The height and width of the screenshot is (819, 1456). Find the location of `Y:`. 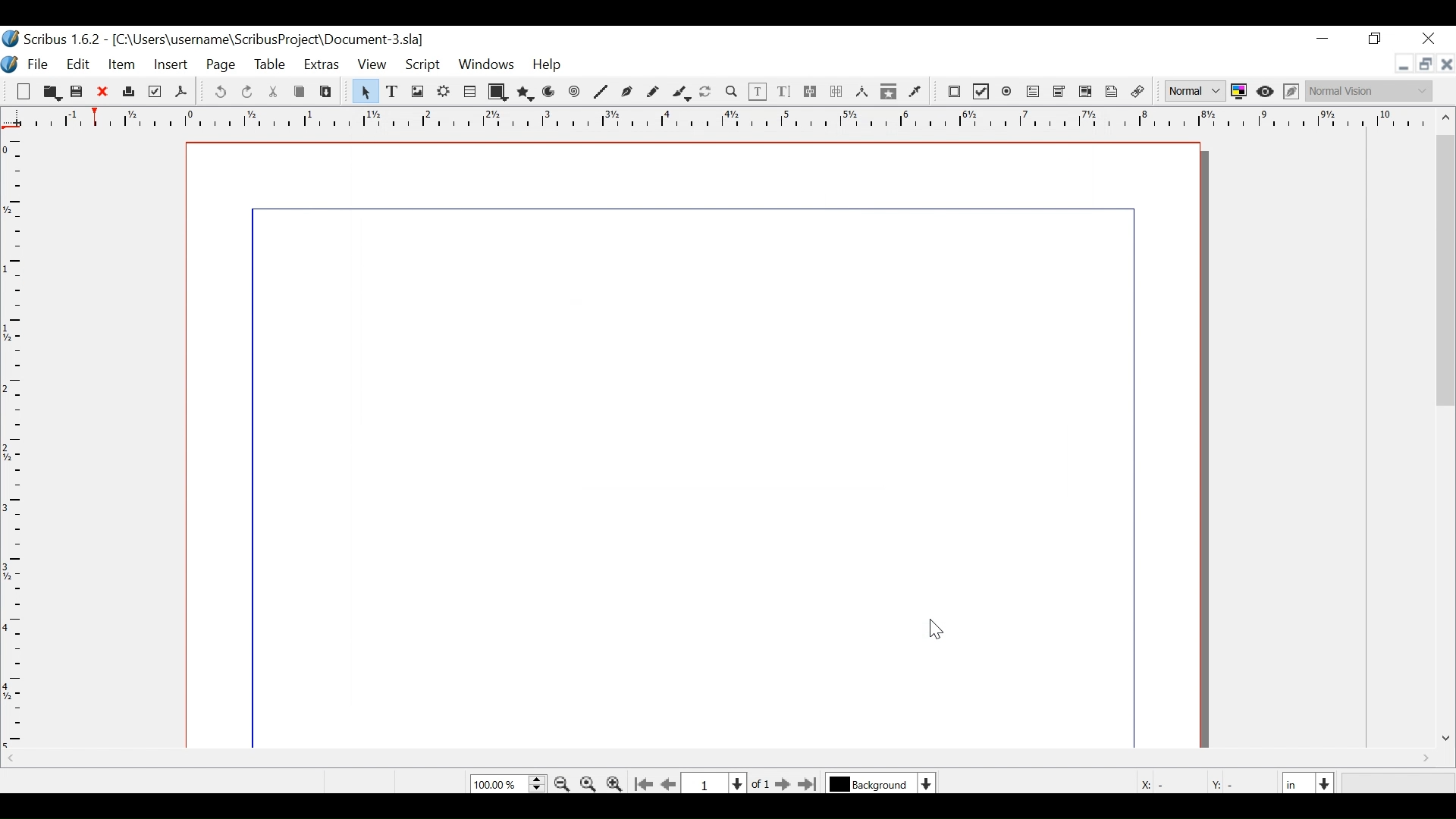

Y: is located at coordinates (1220, 782).